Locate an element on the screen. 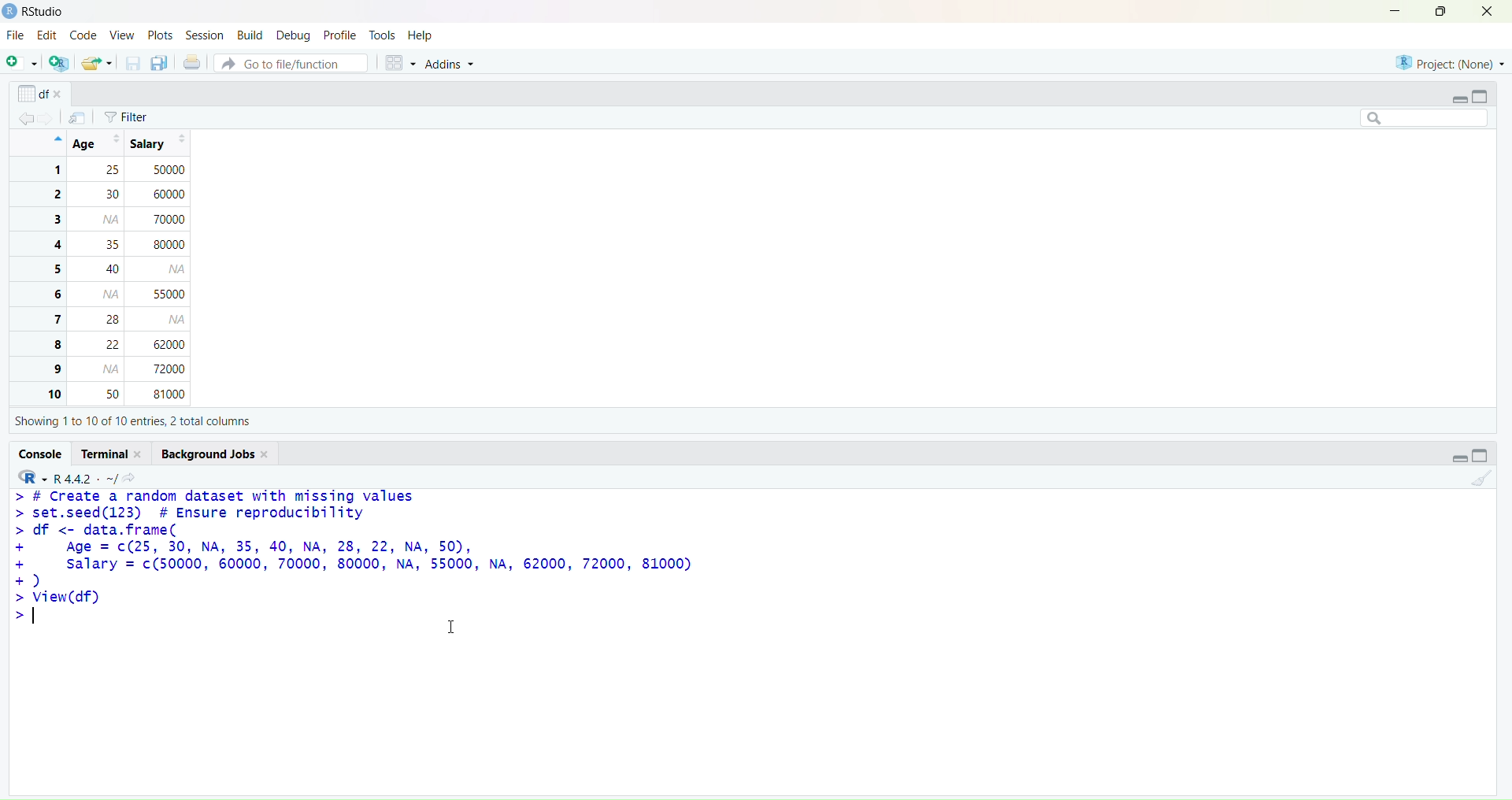 This screenshot has height=800, width=1512. view is located at coordinates (121, 35).